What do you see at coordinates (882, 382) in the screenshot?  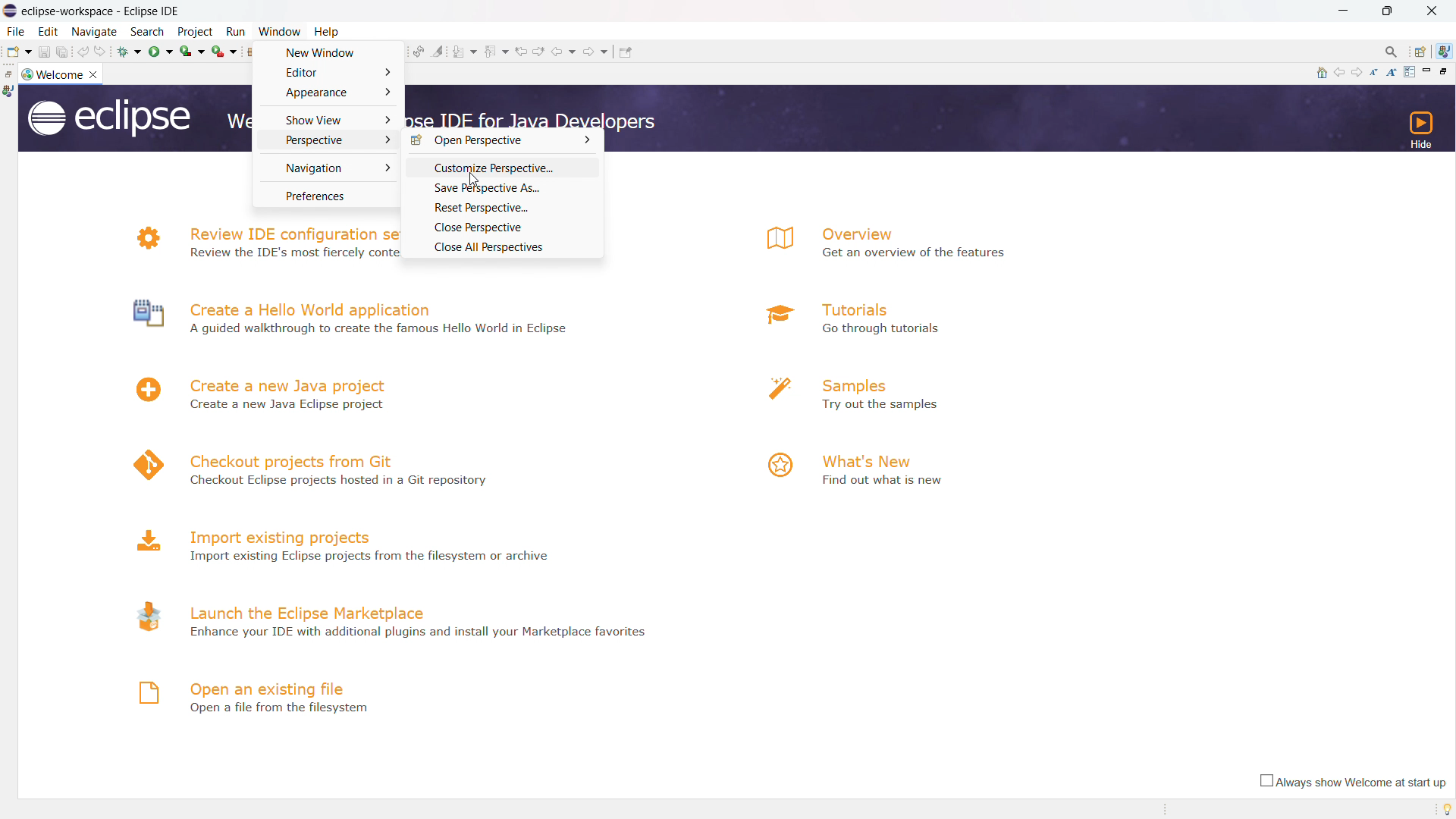 I see `samples` at bounding box center [882, 382].